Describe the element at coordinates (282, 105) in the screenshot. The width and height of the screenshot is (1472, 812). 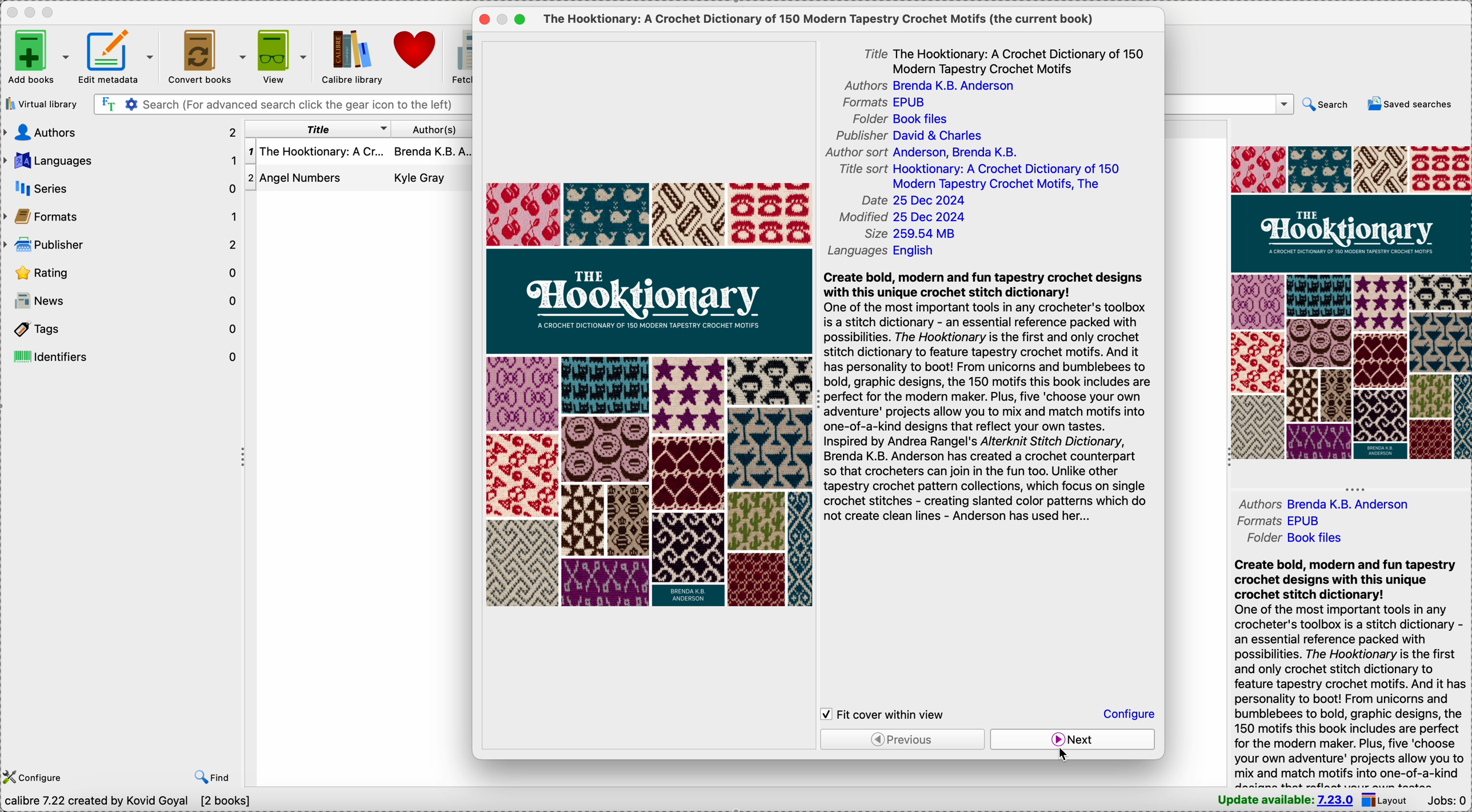
I see `search bar` at that location.